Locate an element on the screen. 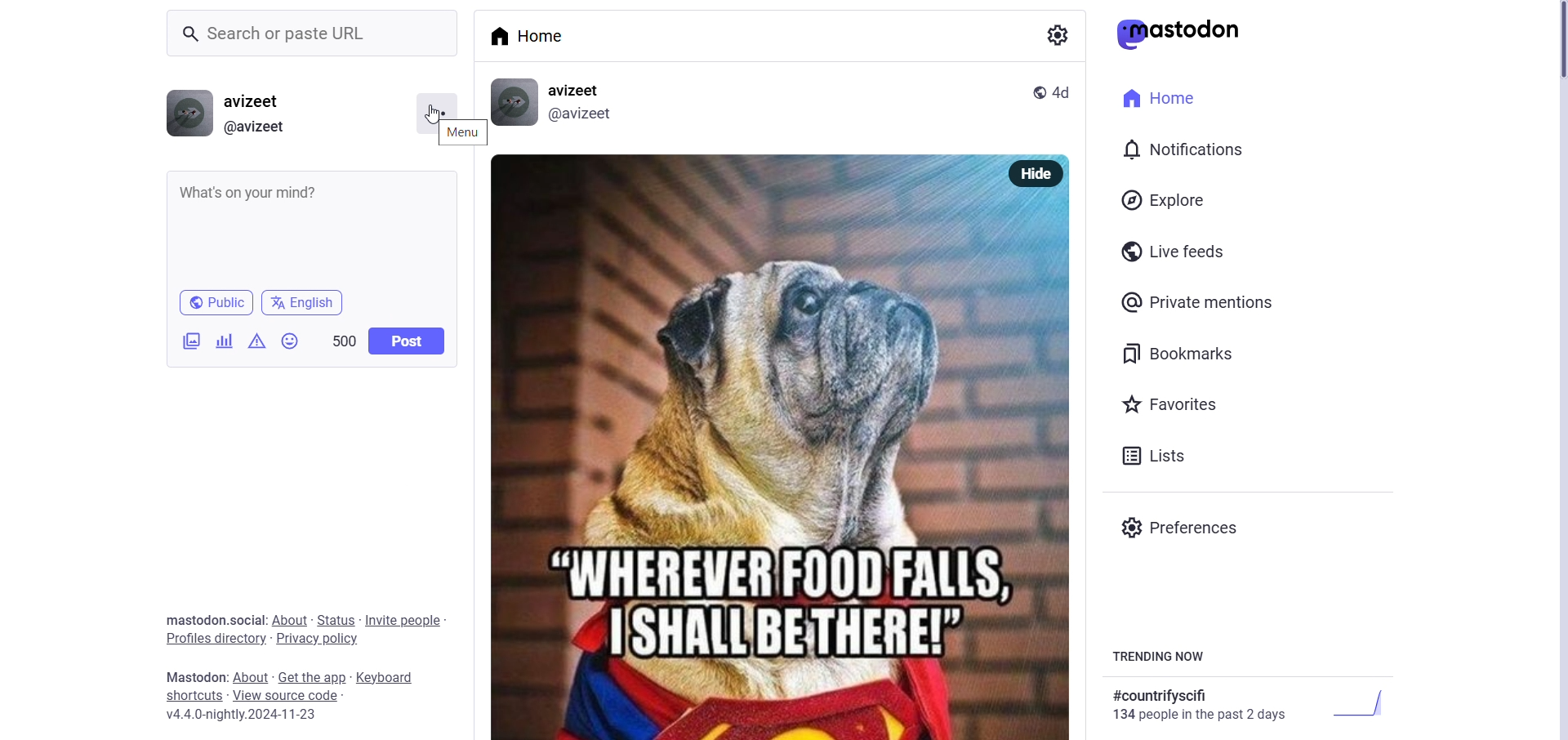 The height and width of the screenshot is (740, 1568). id is located at coordinates (581, 116).